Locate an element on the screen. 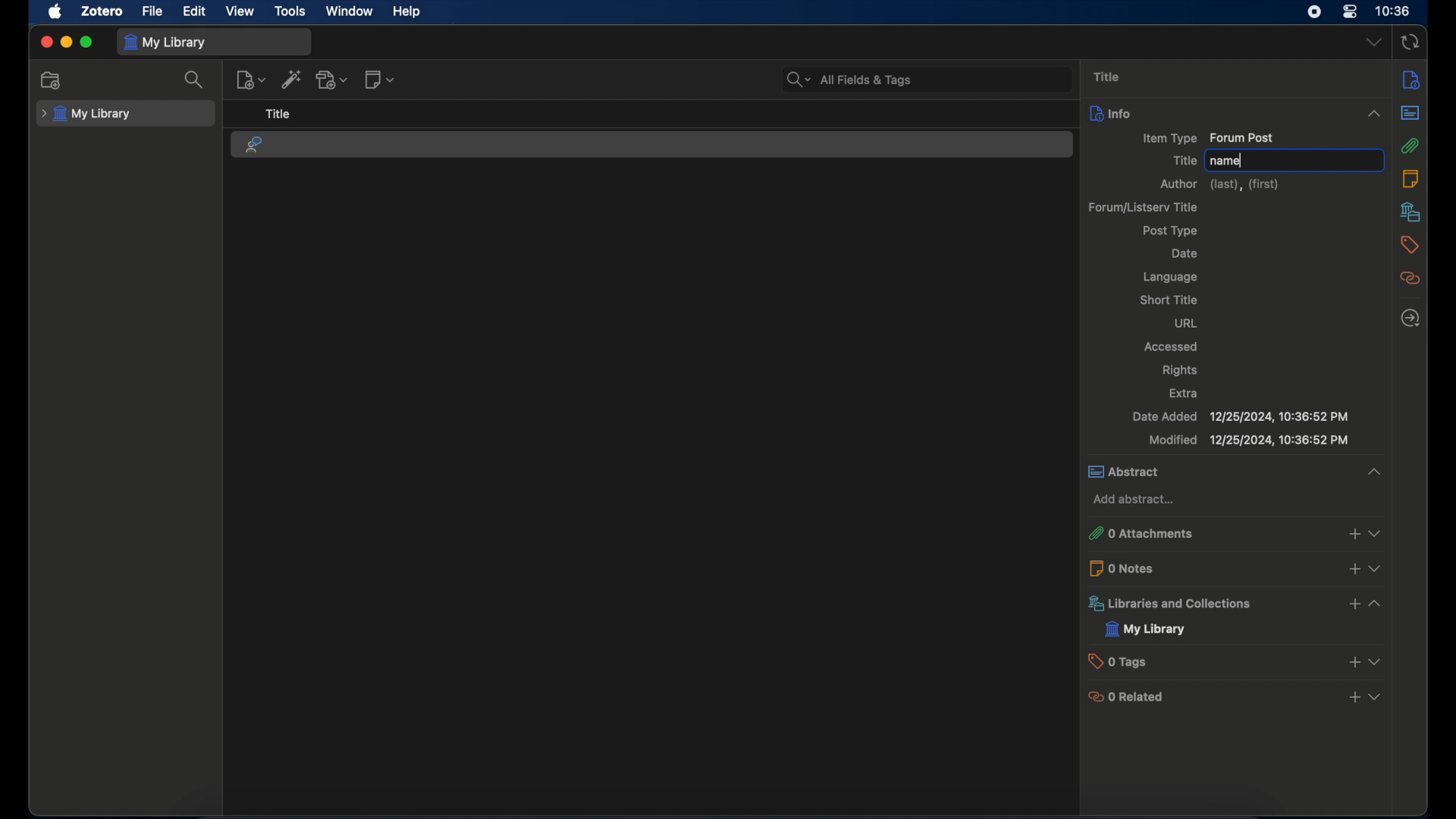 Image resolution: width=1456 pixels, height=819 pixels. locate is located at coordinates (1411, 318).